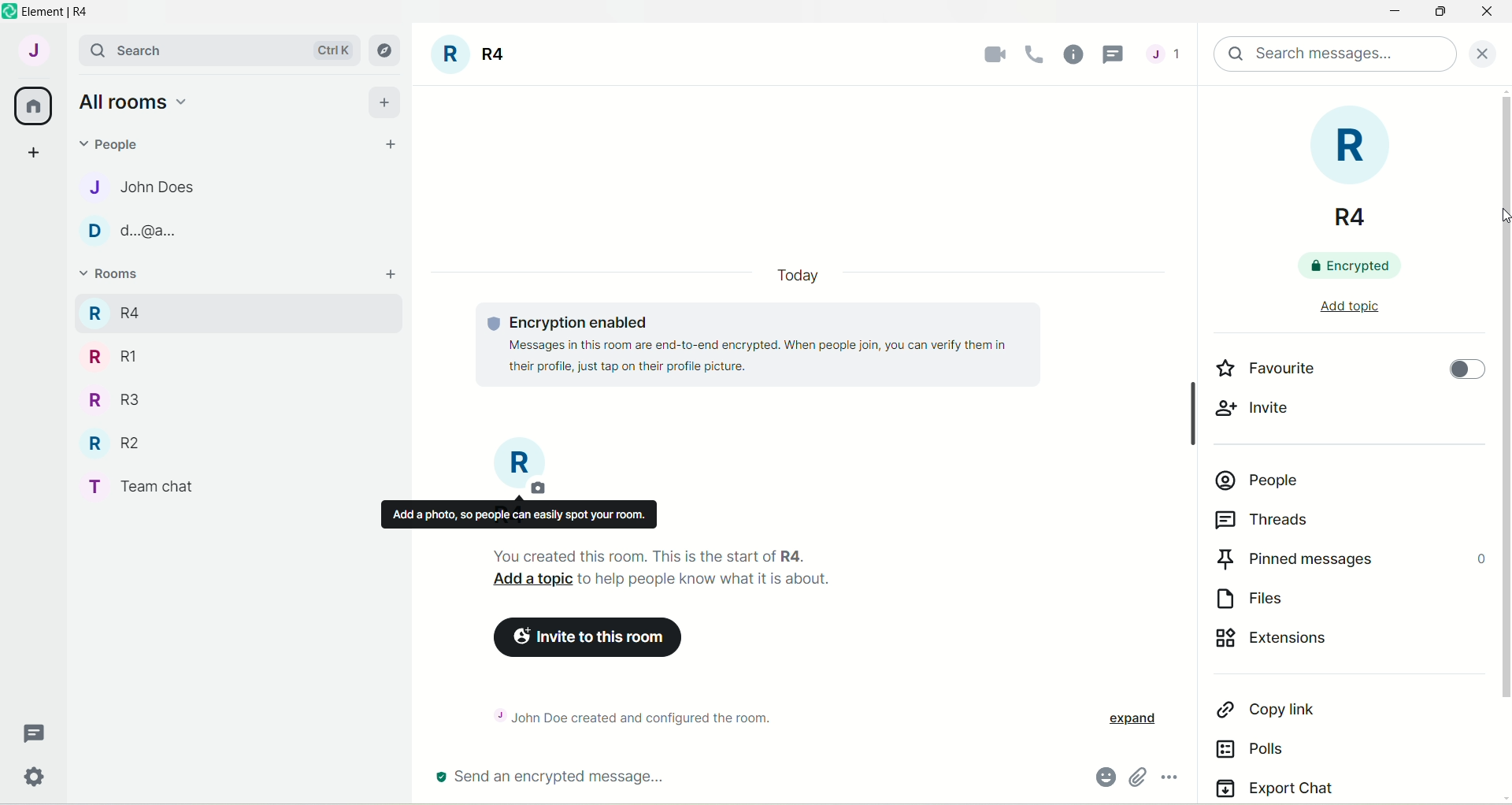  Describe the element at coordinates (1262, 597) in the screenshot. I see `files` at that location.